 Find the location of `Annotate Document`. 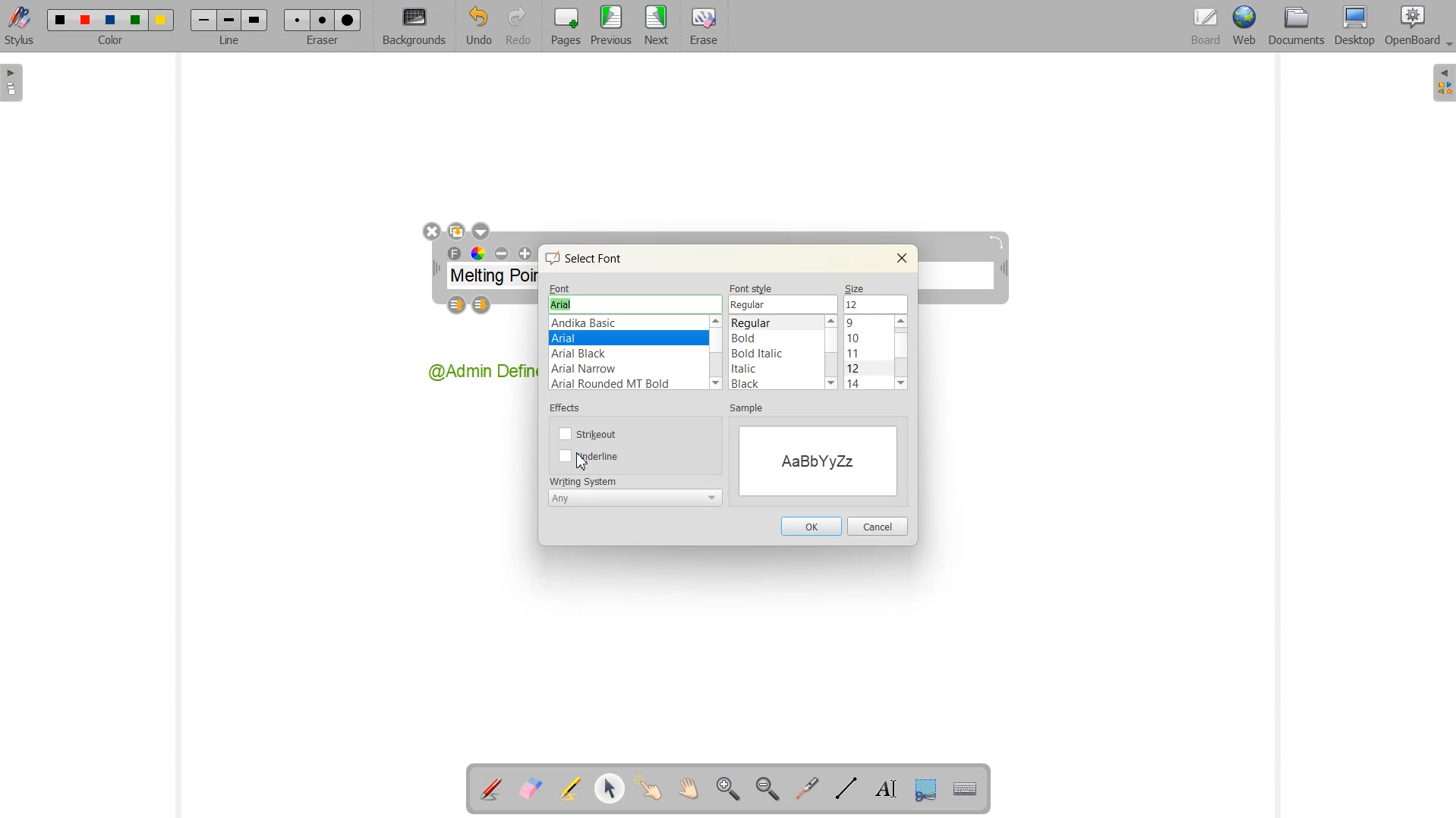

Annotate Document is located at coordinates (490, 789).